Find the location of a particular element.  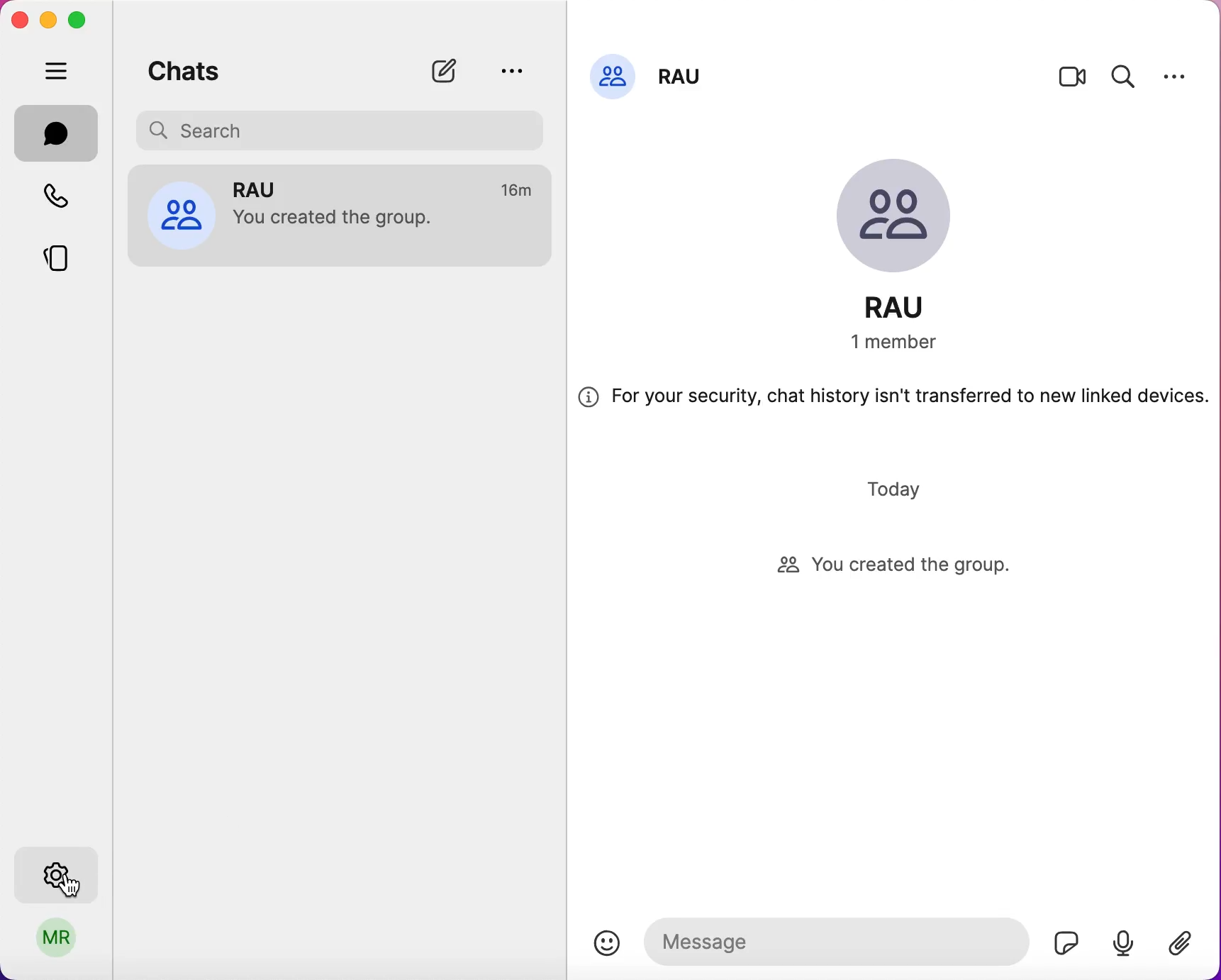

chats is located at coordinates (57, 133).